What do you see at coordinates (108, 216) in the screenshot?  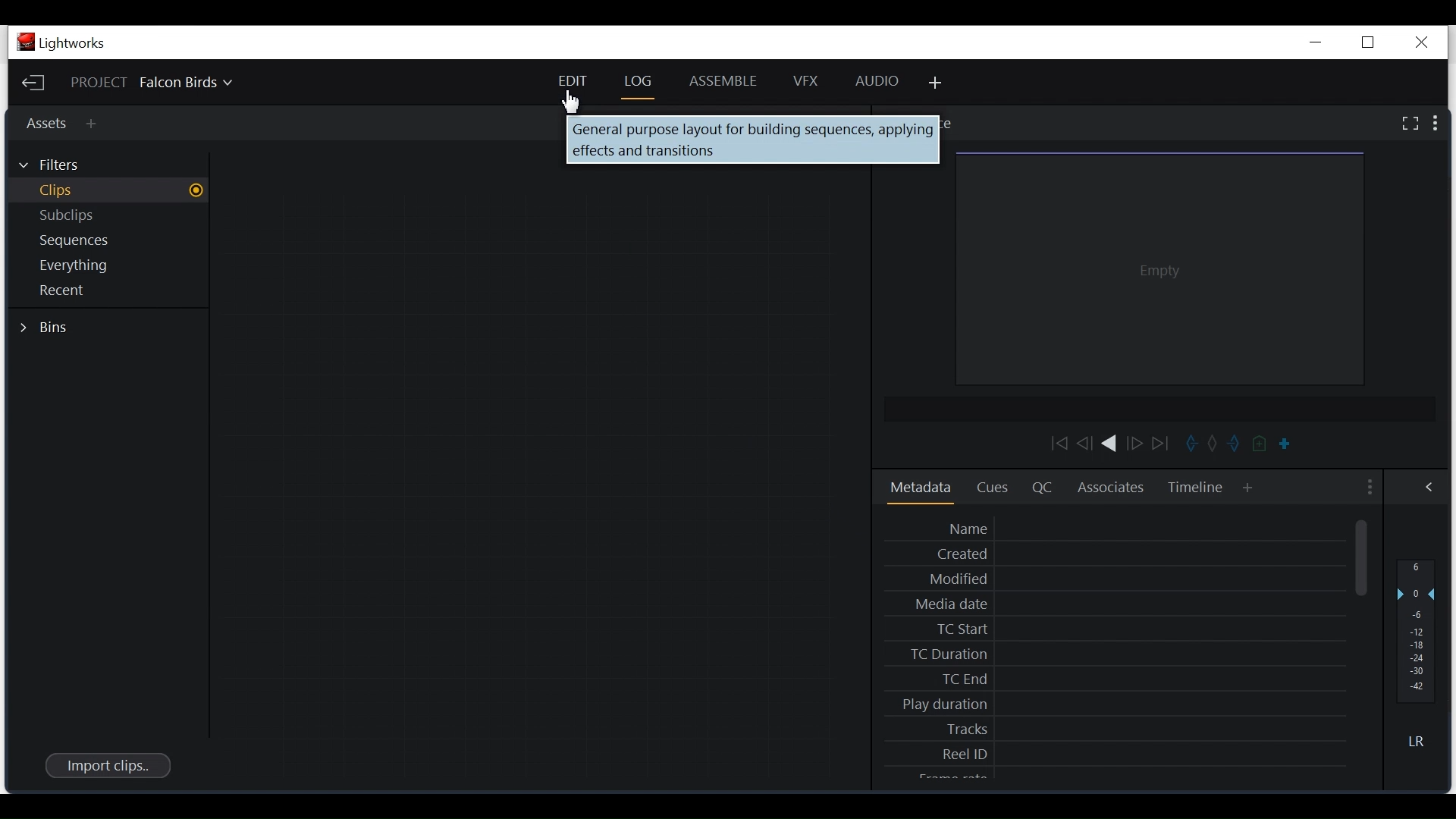 I see `Show Subclips within the project` at bounding box center [108, 216].